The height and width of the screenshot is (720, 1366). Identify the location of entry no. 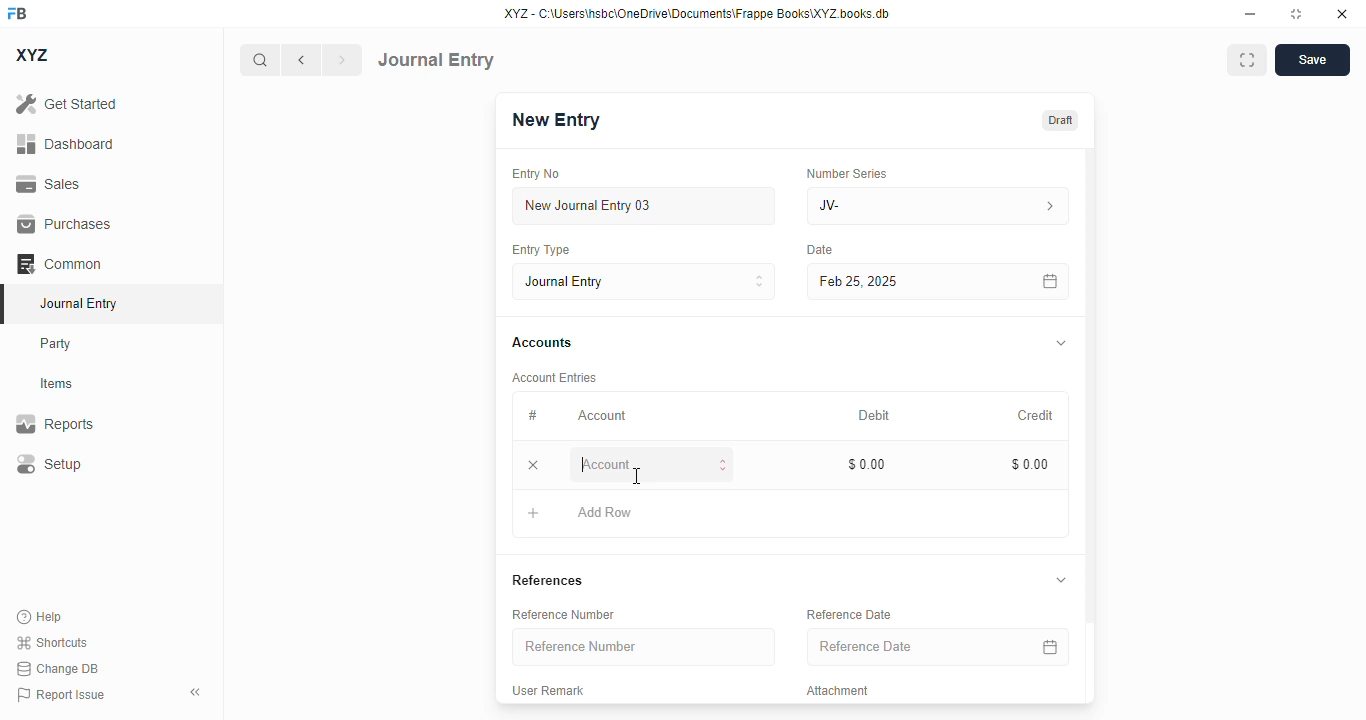
(536, 174).